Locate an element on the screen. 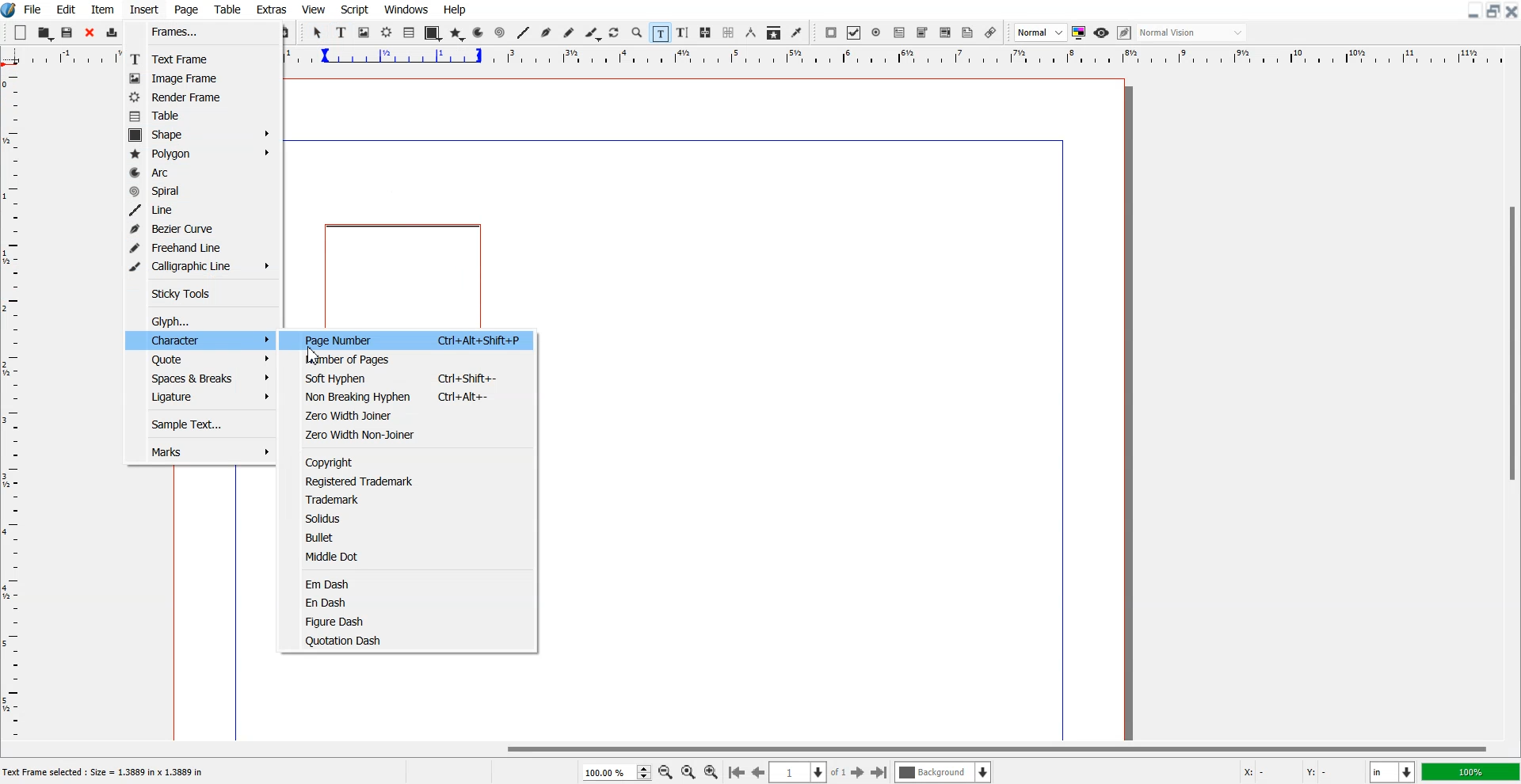 This screenshot has width=1521, height=784. Eye dropper is located at coordinates (796, 32).